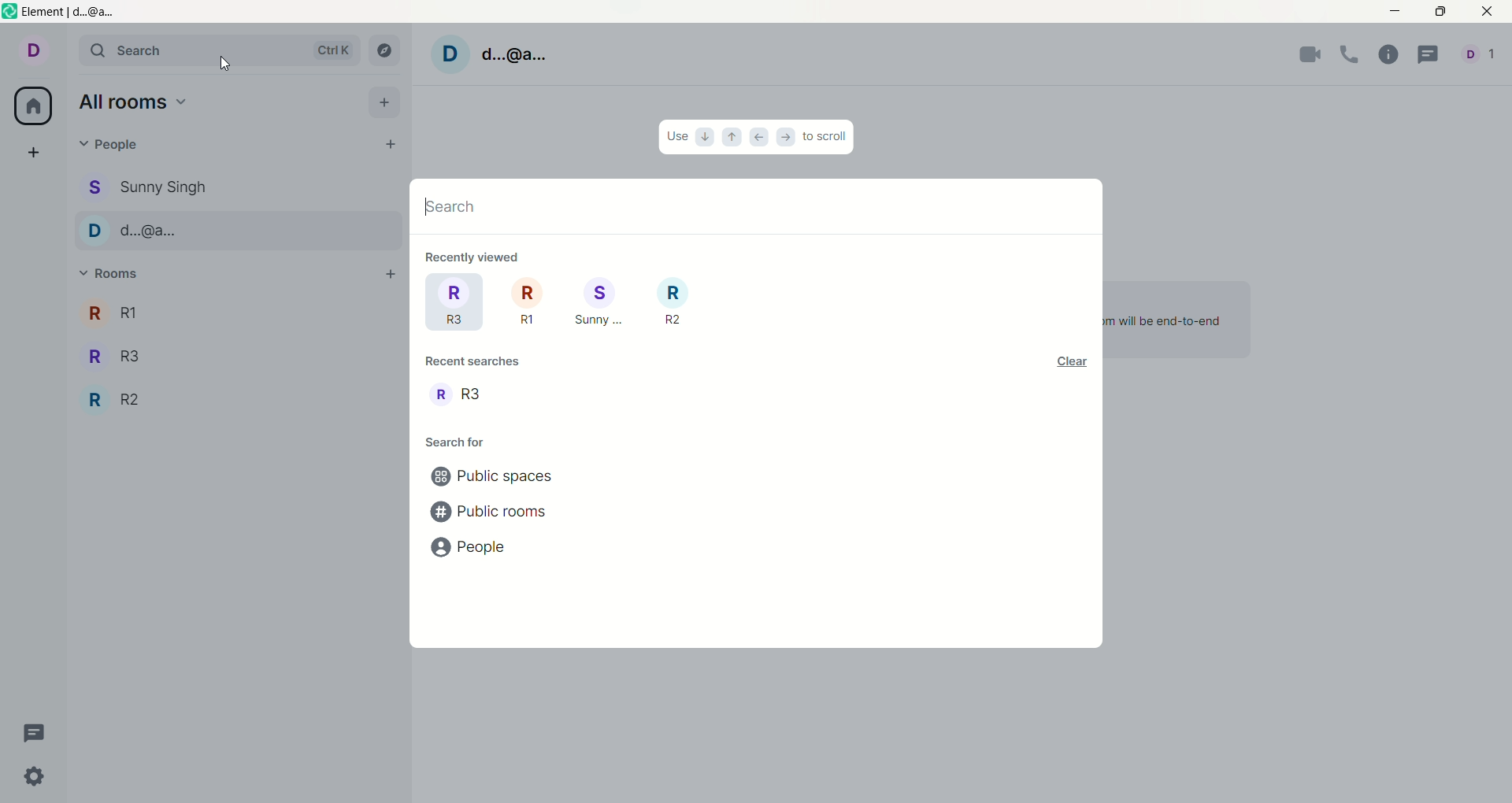 The image size is (1512, 803). What do you see at coordinates (674, 301) in the screenshot?
I see `R2` at bounding box center [674, 301].